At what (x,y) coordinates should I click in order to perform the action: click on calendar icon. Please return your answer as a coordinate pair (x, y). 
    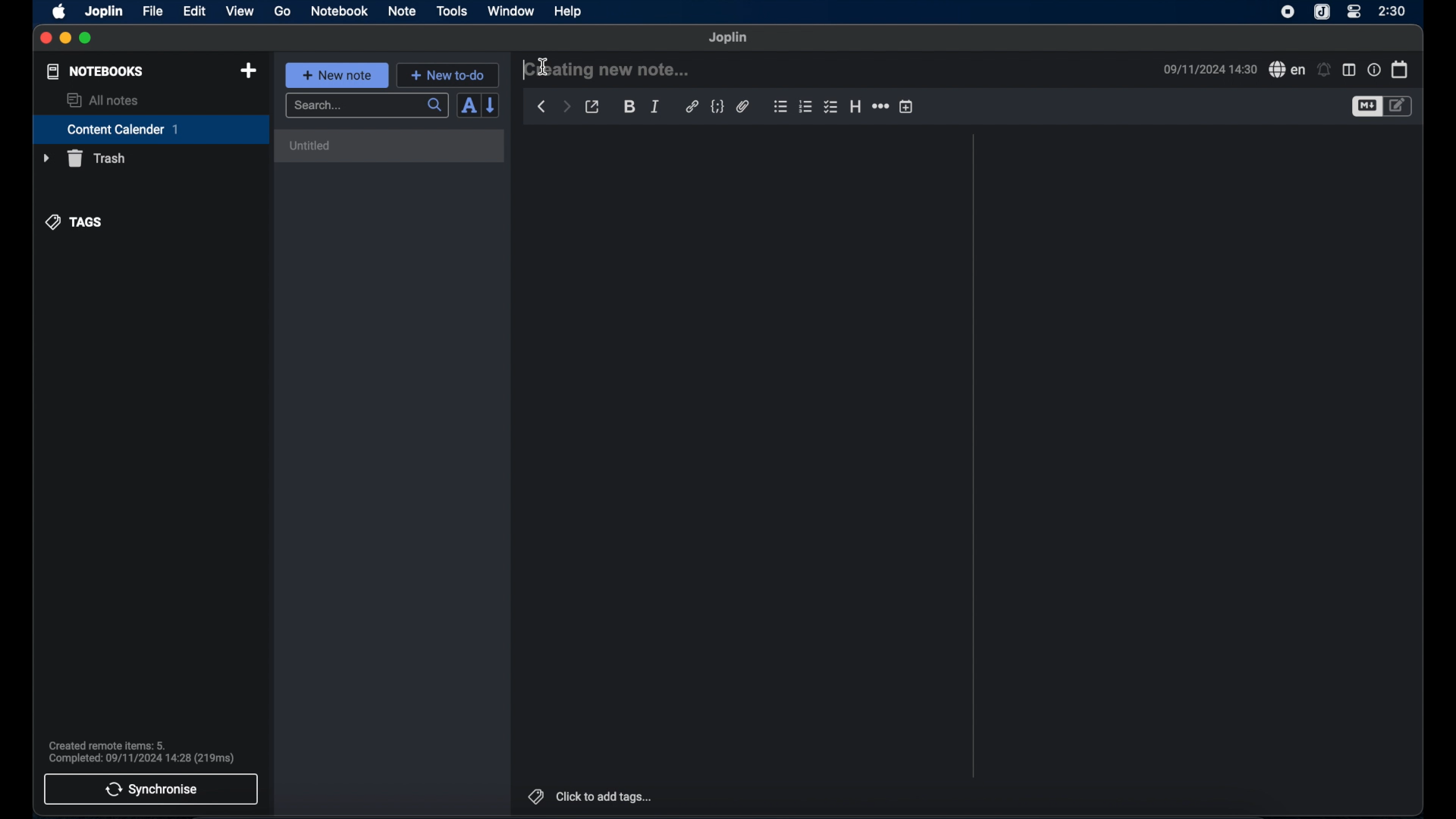
    Looking at the image, I should click on (1401, 70).